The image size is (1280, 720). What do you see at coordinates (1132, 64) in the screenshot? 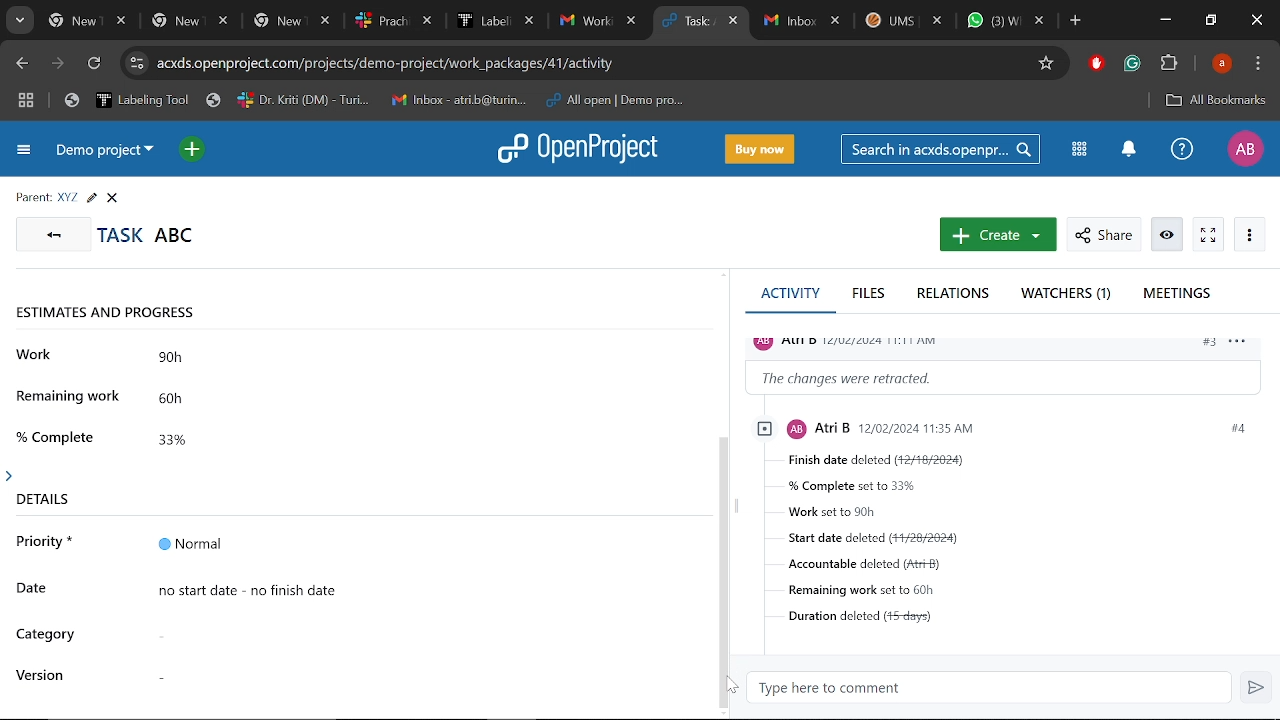
I see `Grammerly` at bounding box center [1132, 64].